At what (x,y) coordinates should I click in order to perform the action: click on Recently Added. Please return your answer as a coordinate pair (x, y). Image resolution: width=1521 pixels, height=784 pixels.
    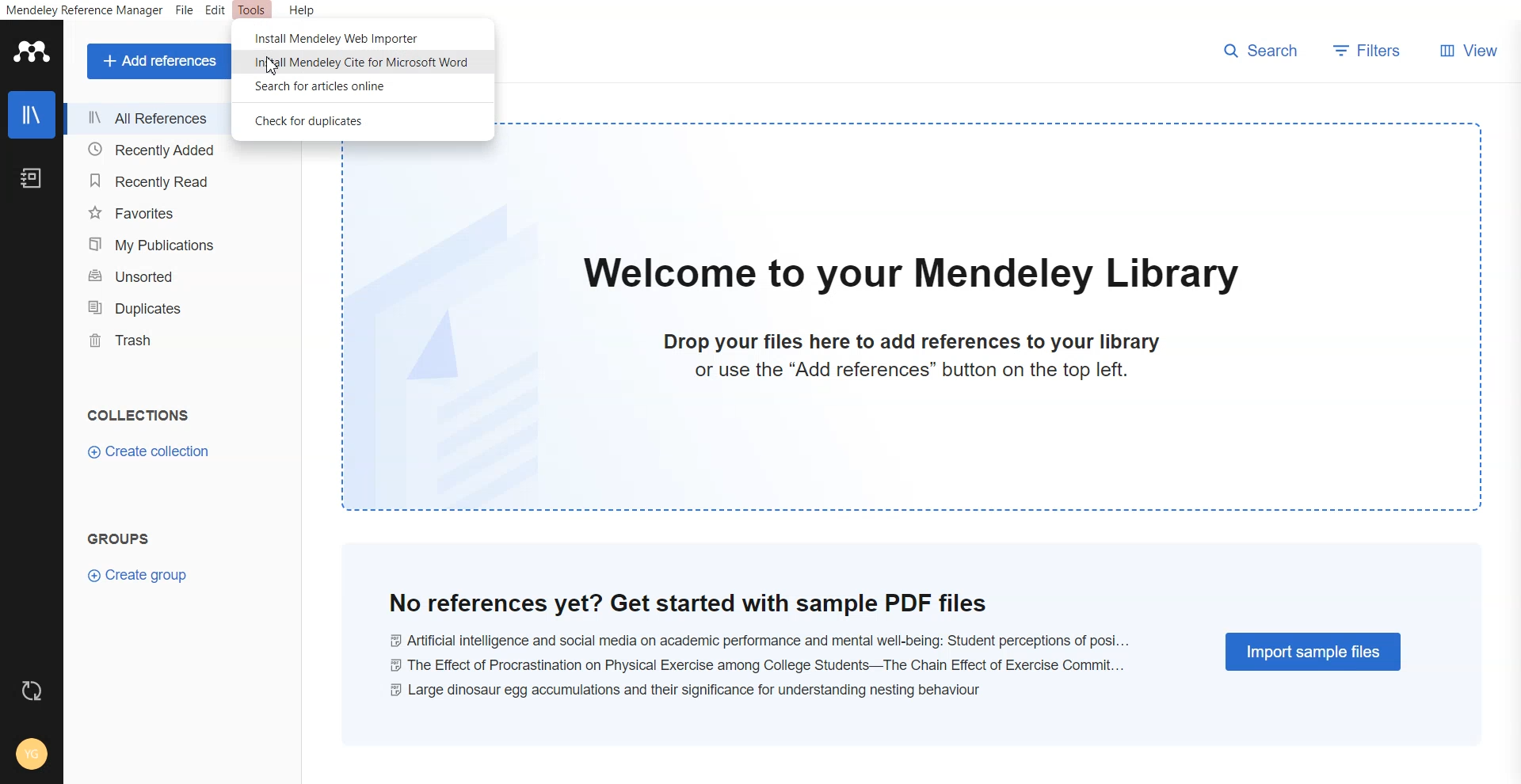
    Looking at the image, I should click on (181, 150).